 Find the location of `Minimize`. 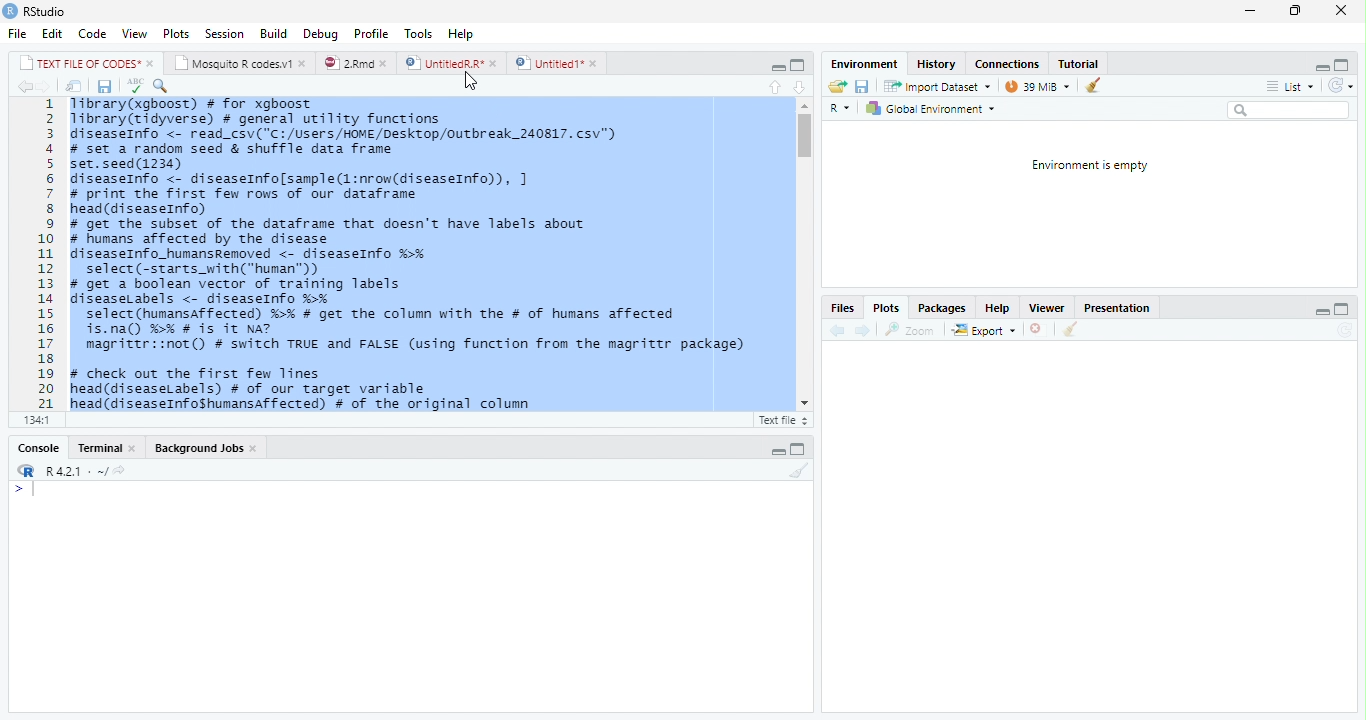

Minimize is located at coordinates (1318, 65).